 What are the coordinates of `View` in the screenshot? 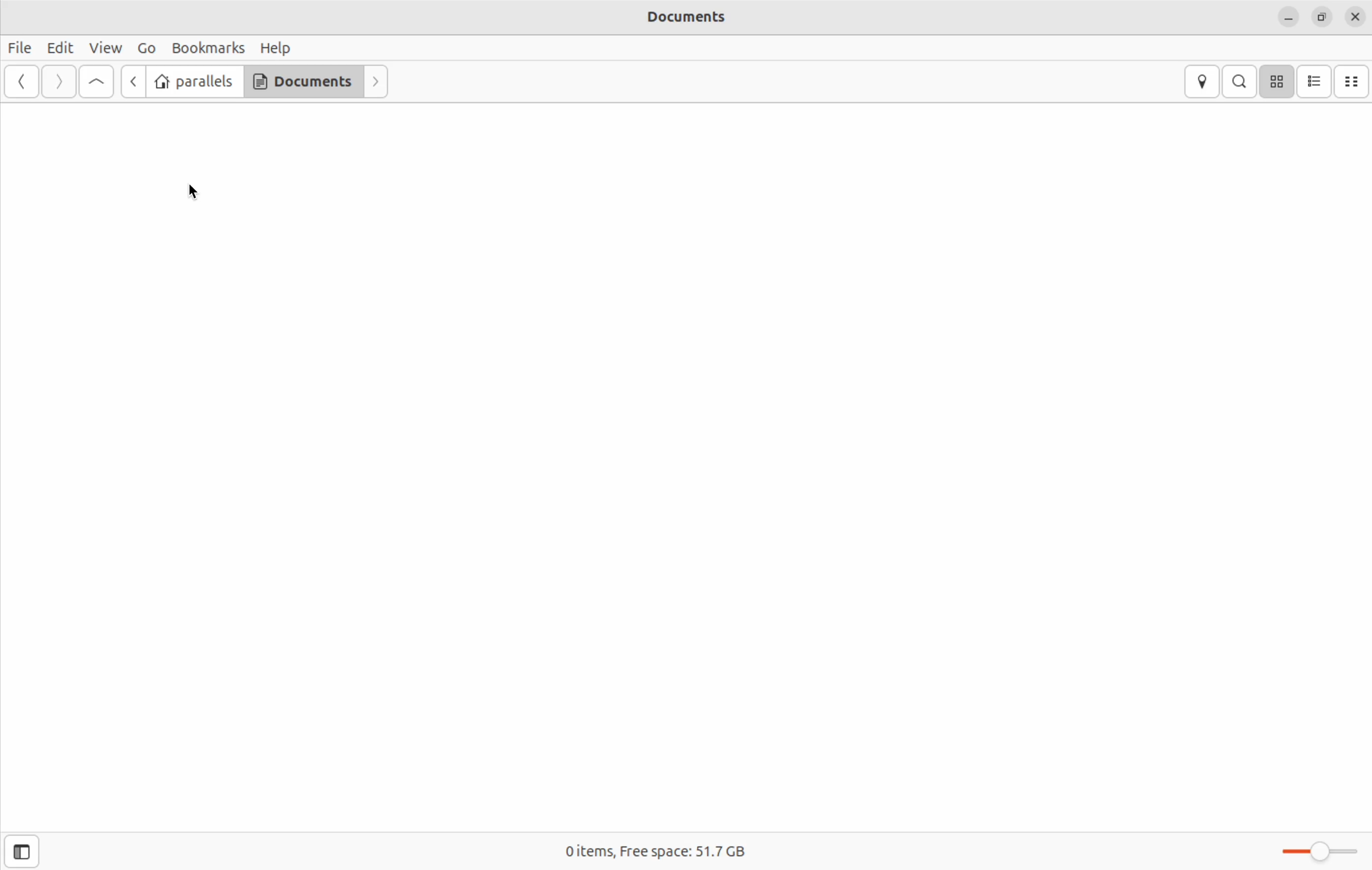 It's located at (105, 48).